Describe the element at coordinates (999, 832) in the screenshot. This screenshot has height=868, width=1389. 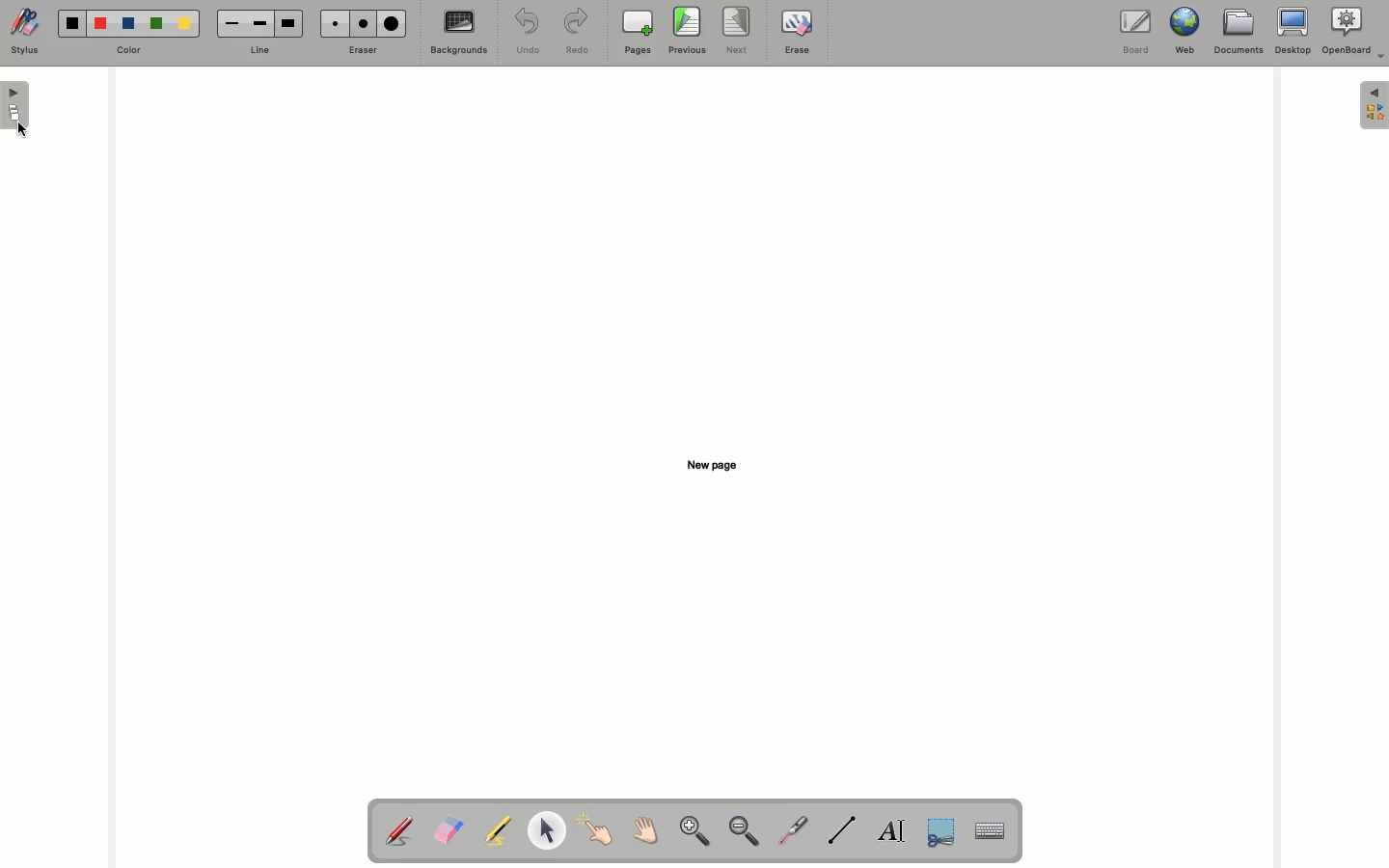
I see `Display virtual keyboard` at that location.